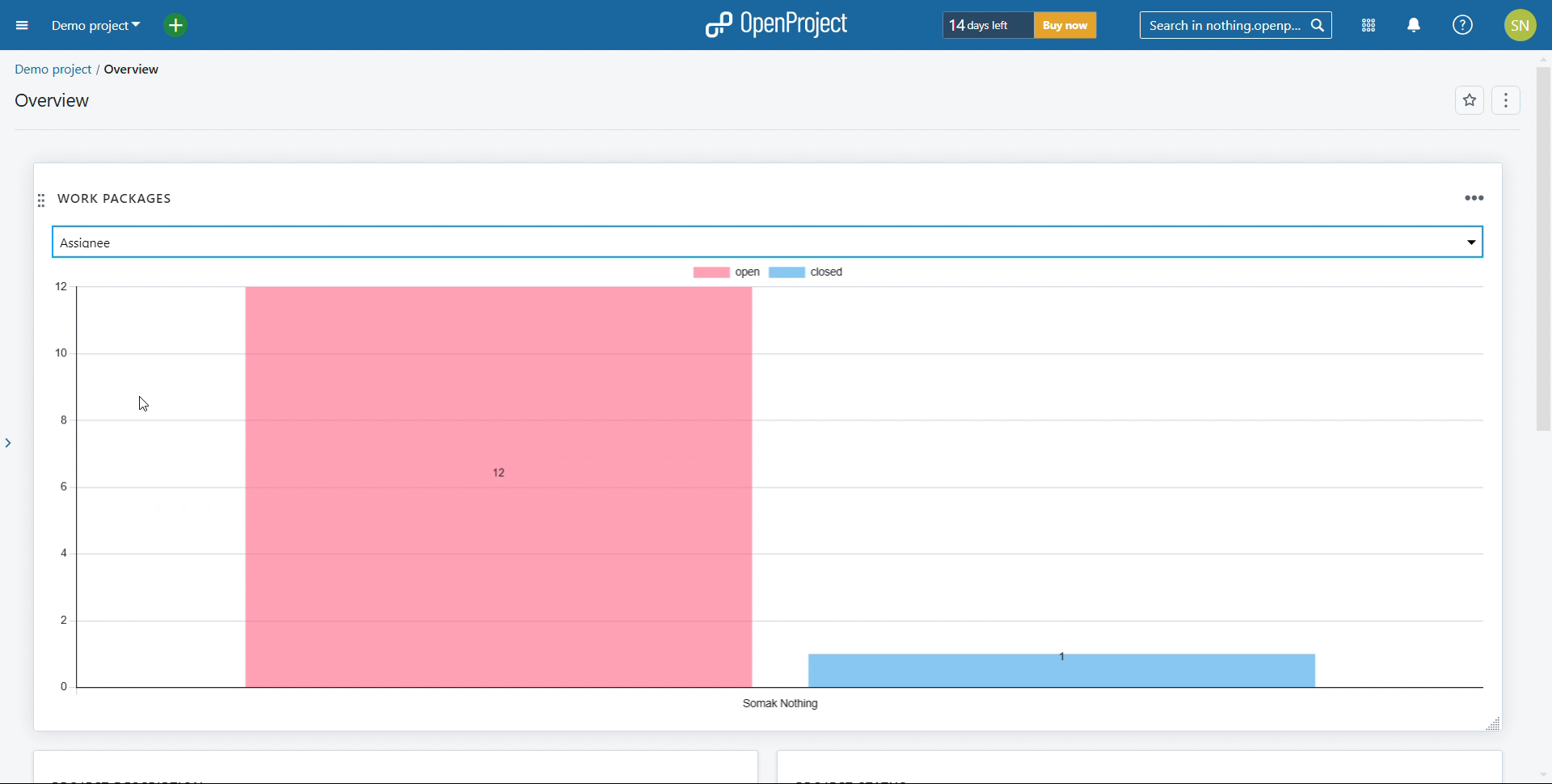 This screenshot has height=784, width=1552. What do you see at coordinates (1236, 26) in the screenshot?
I see `search` at bounding box center [1236, 26].